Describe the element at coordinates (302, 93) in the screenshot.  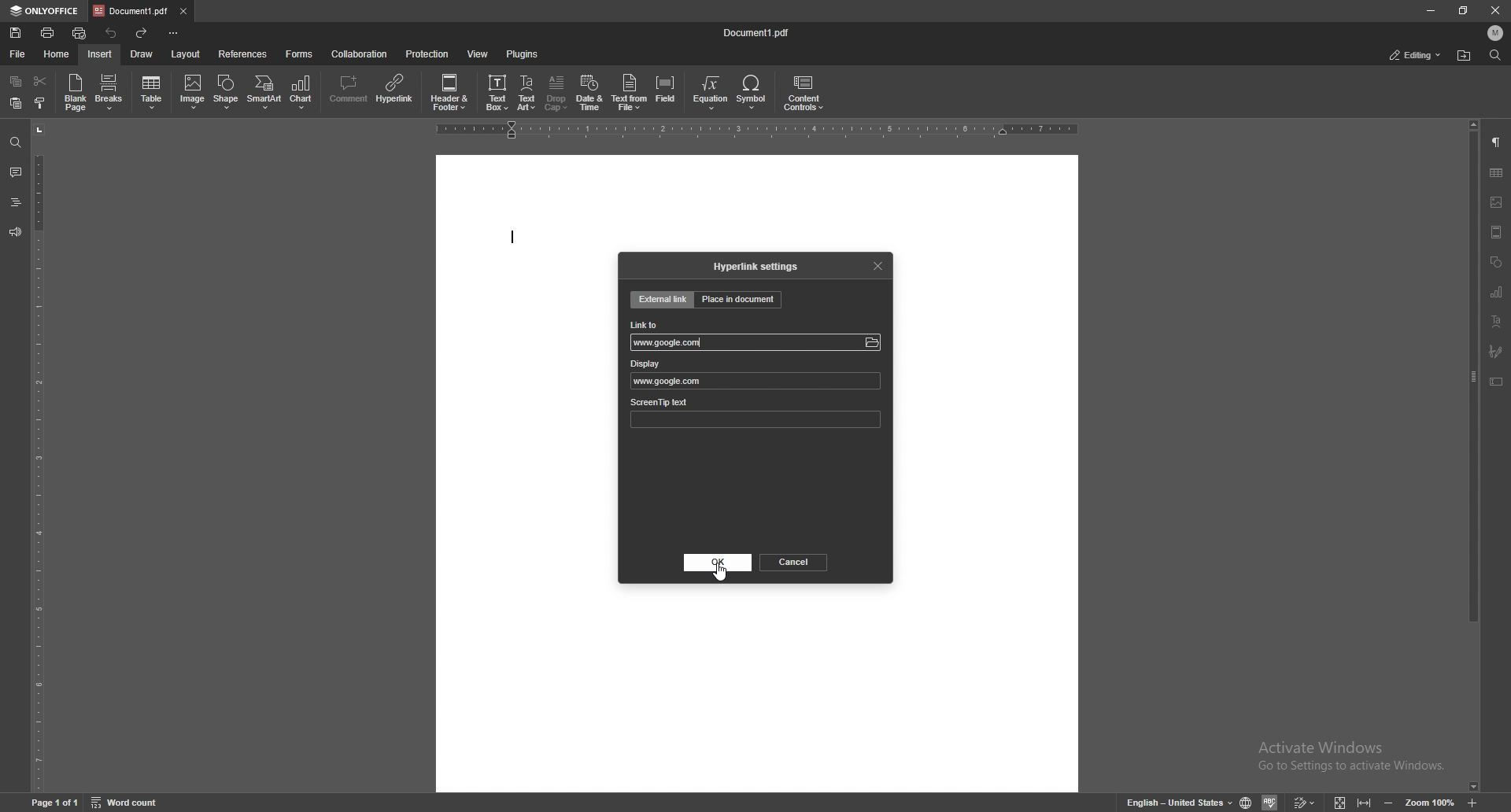
I see `chart` at that location.